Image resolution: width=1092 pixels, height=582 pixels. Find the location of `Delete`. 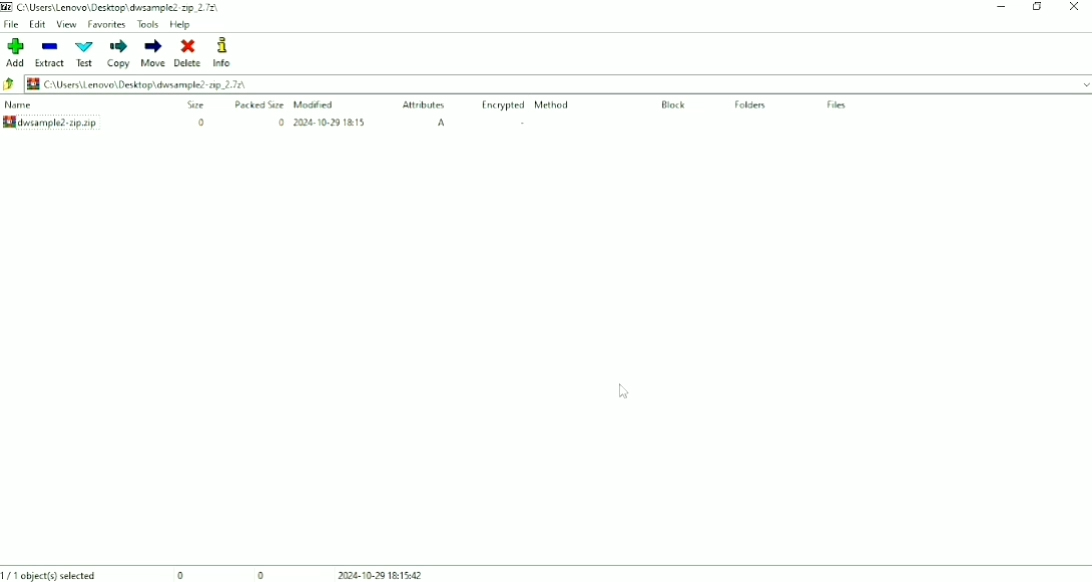

Delete is located at coordinates (187, 53).